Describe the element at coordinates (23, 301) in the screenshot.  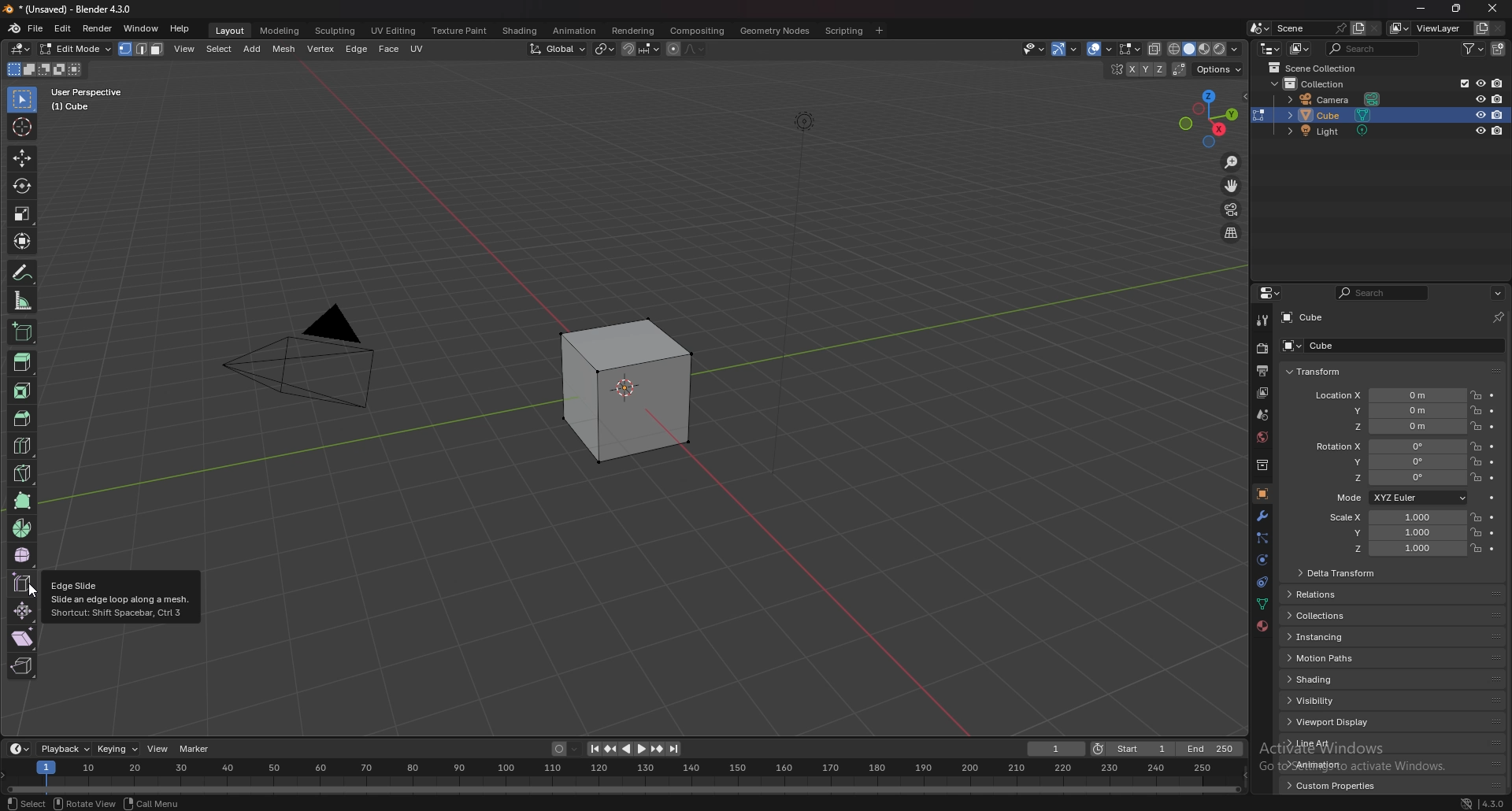
I see `measure` at that location.